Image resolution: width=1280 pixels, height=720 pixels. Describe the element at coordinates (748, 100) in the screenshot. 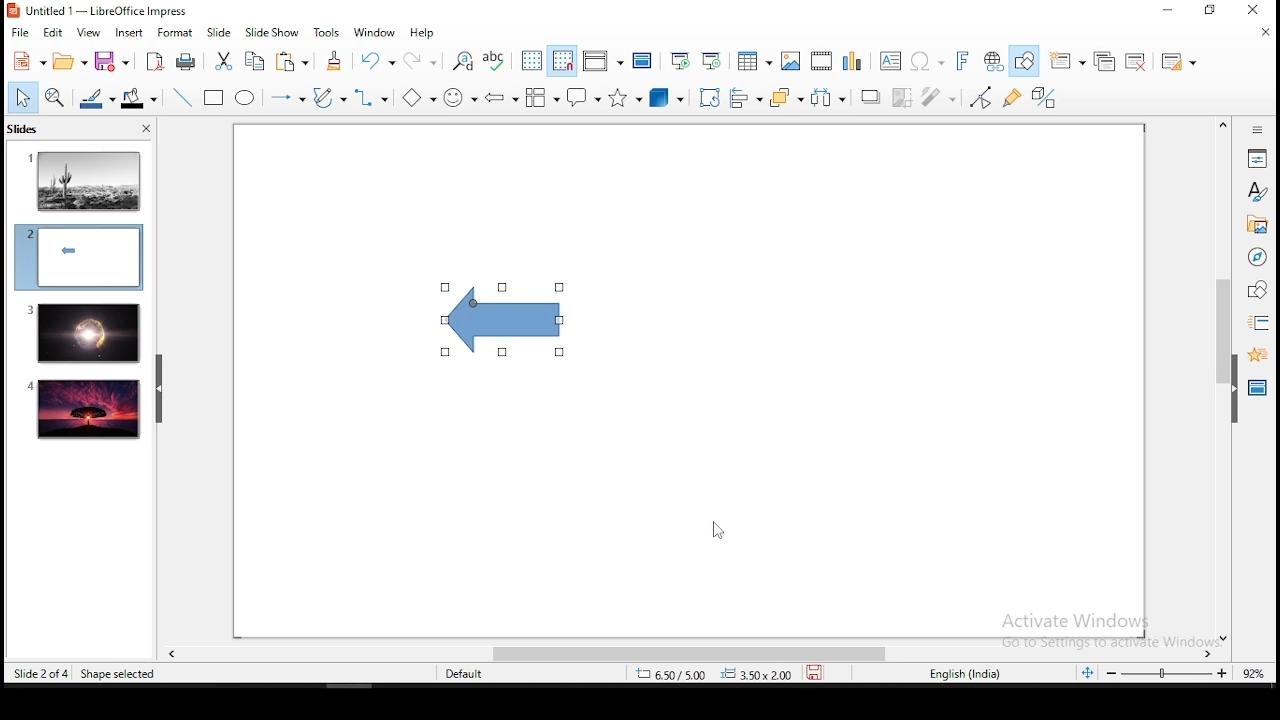

I see `align objects` at that location.